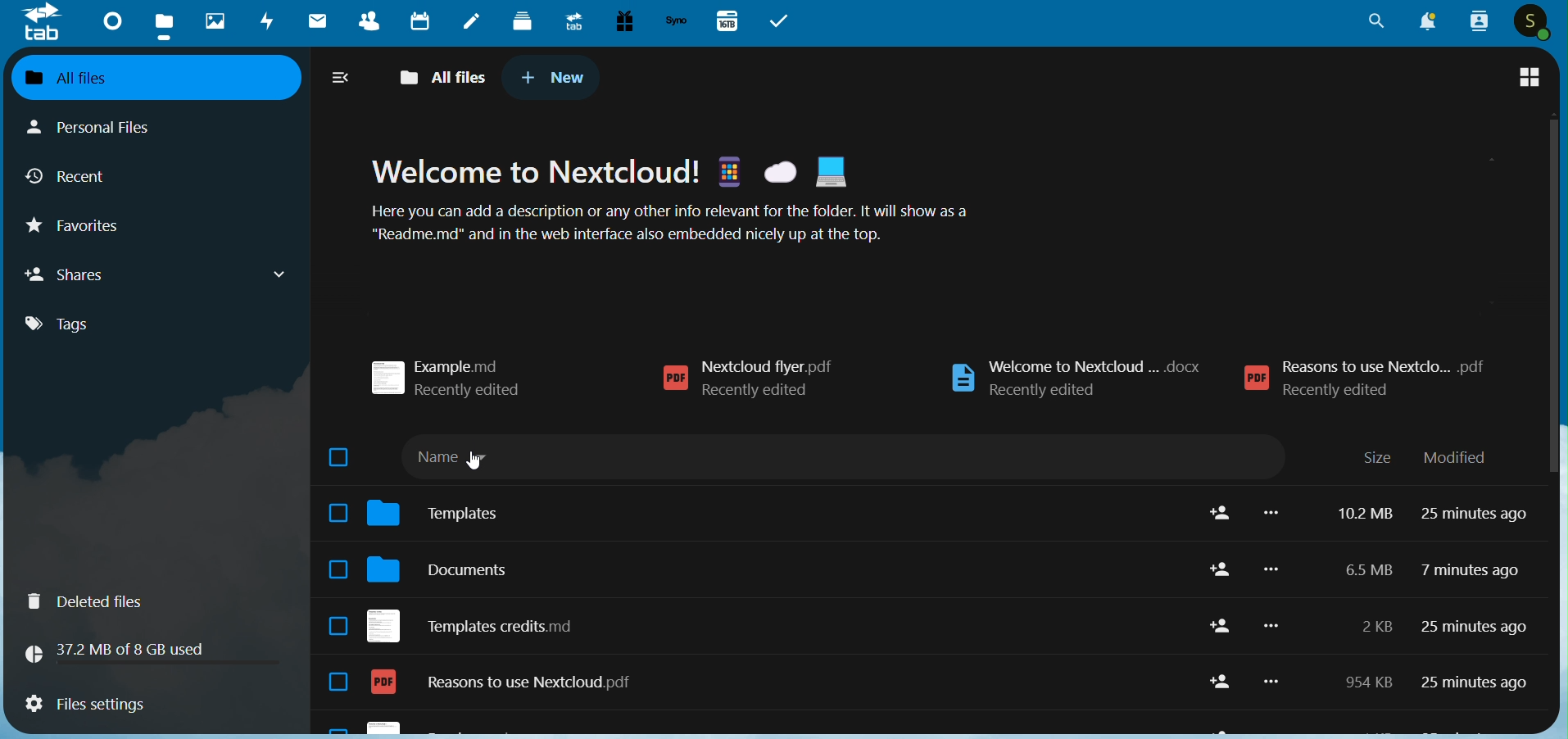 The height and width of the screenshot is (739, 1568). What do you see at coordinates (165, 20) in the screenshot?
I see `Files` at bounding box center [165, 20].